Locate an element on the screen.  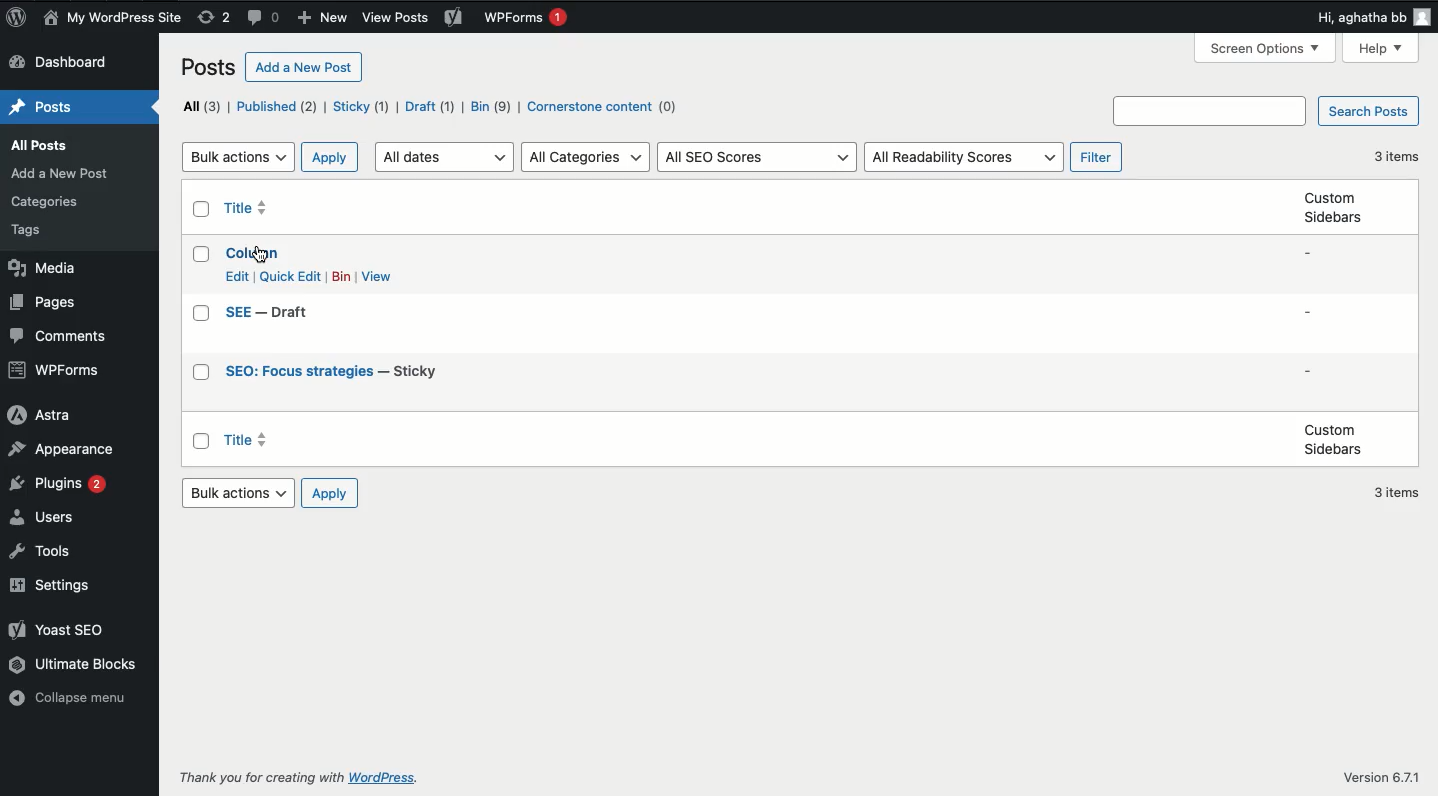
Posts is located at coordinates (44, 145).